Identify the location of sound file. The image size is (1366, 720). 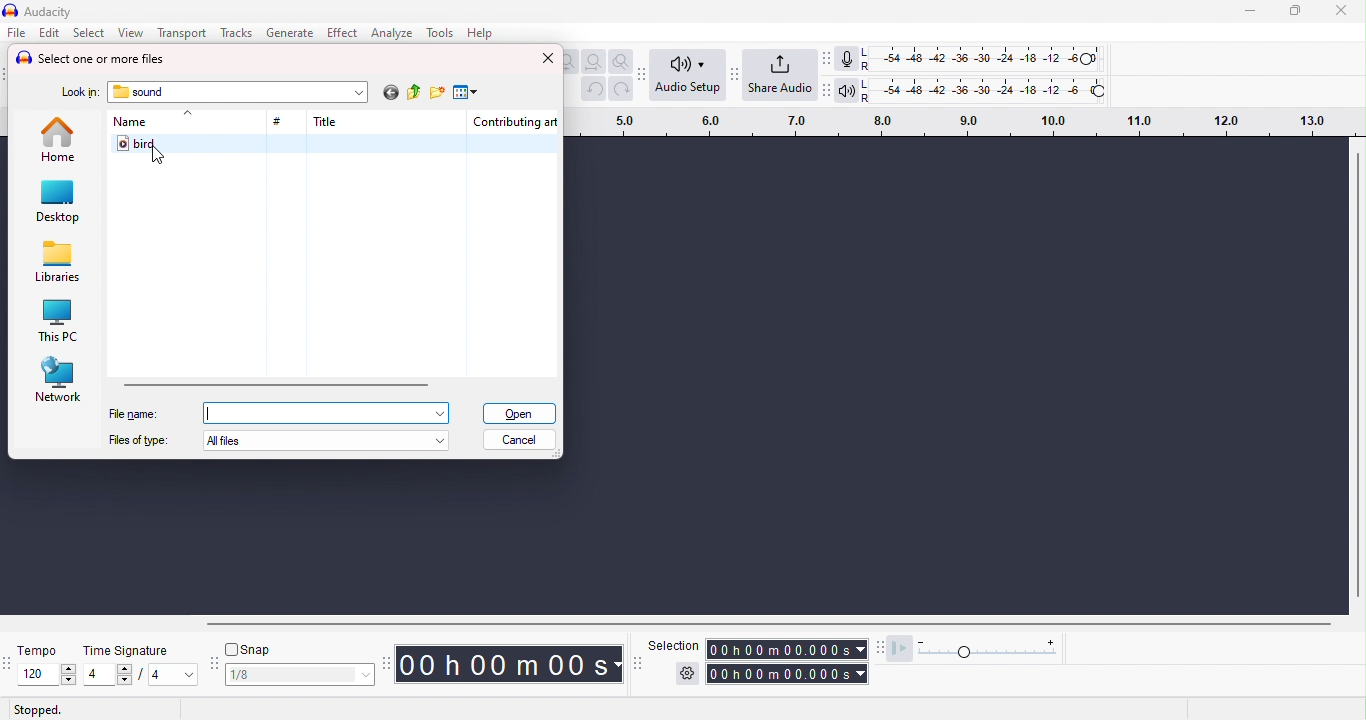
(338, 144).